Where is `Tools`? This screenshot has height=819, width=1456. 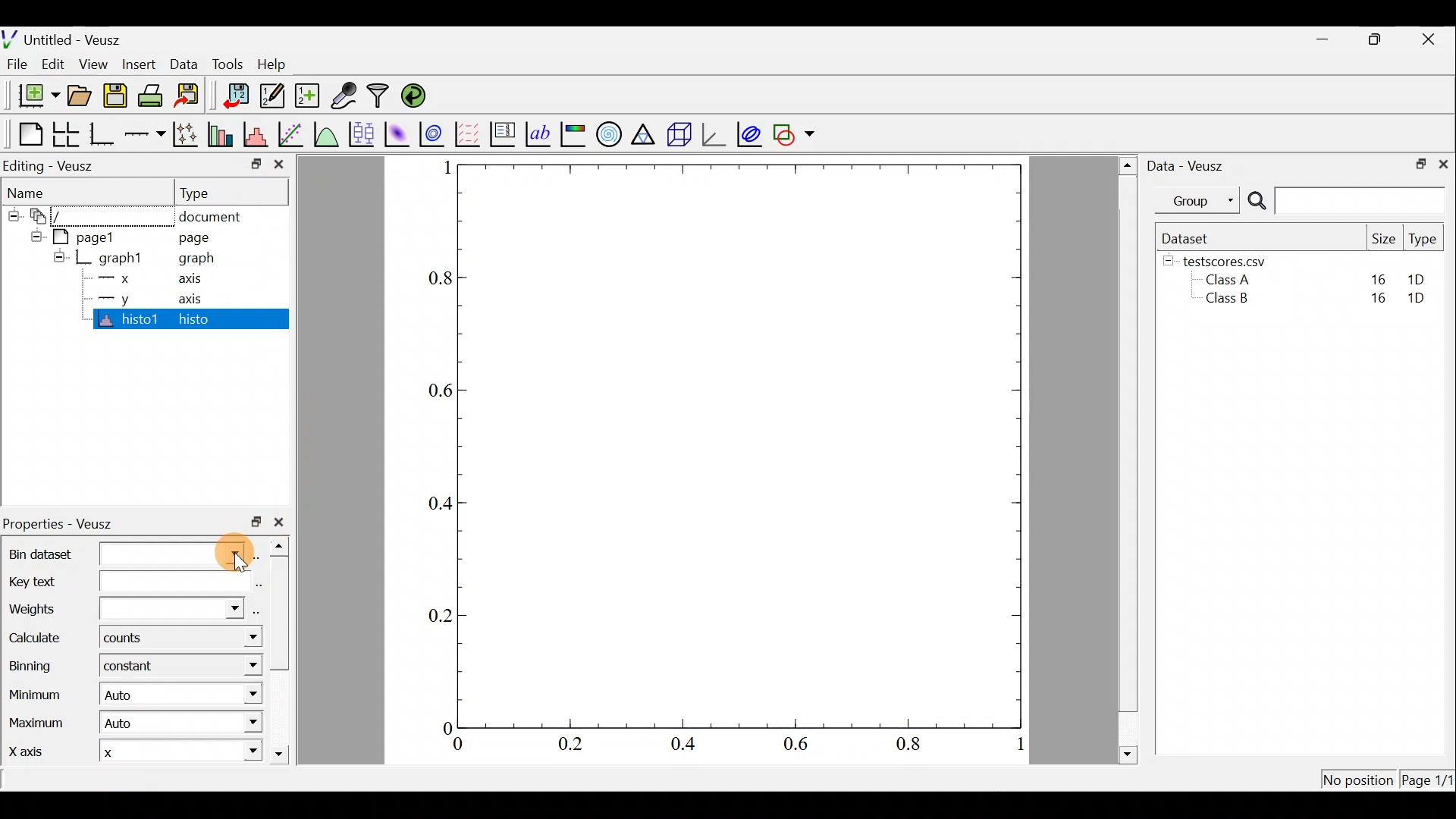
Tools is located at coordinates (226, 65).